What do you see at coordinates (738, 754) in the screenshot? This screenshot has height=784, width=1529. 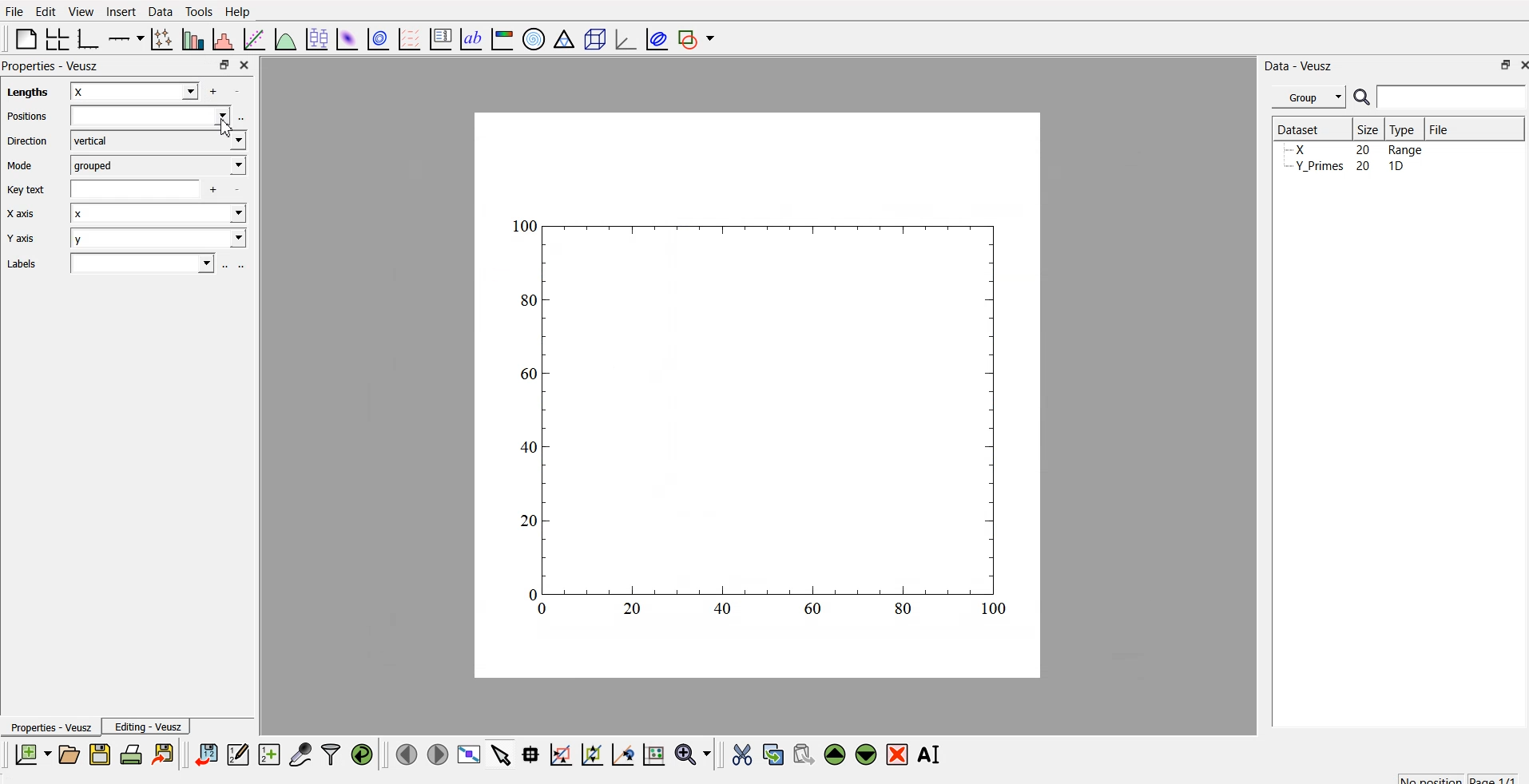 I see `cut the widget` at bounding box center [738, 754].